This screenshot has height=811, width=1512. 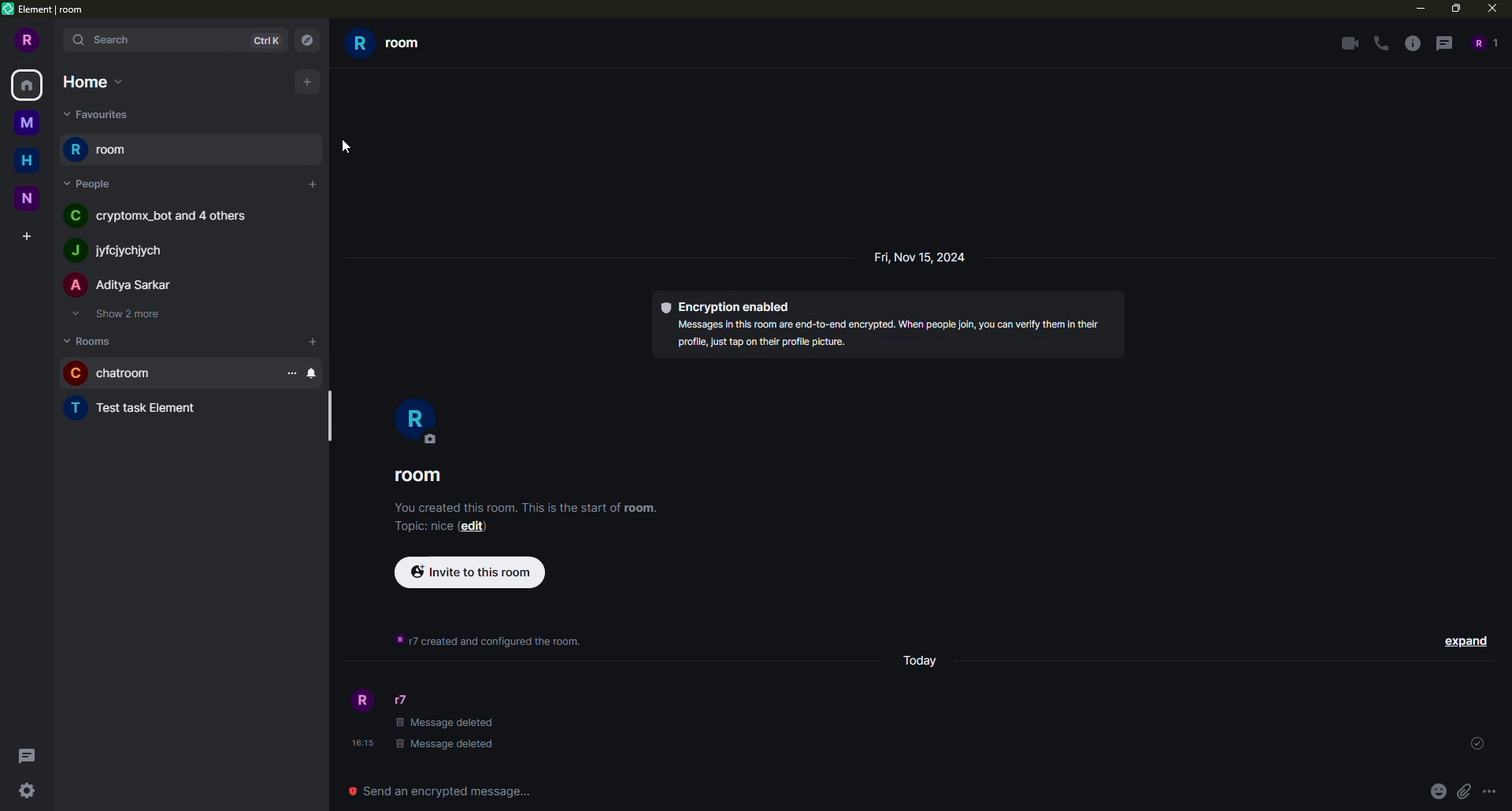 What do you see at coordinates (88, 182) in the screenshot?
I see `people` at bounding box center [88, 182].